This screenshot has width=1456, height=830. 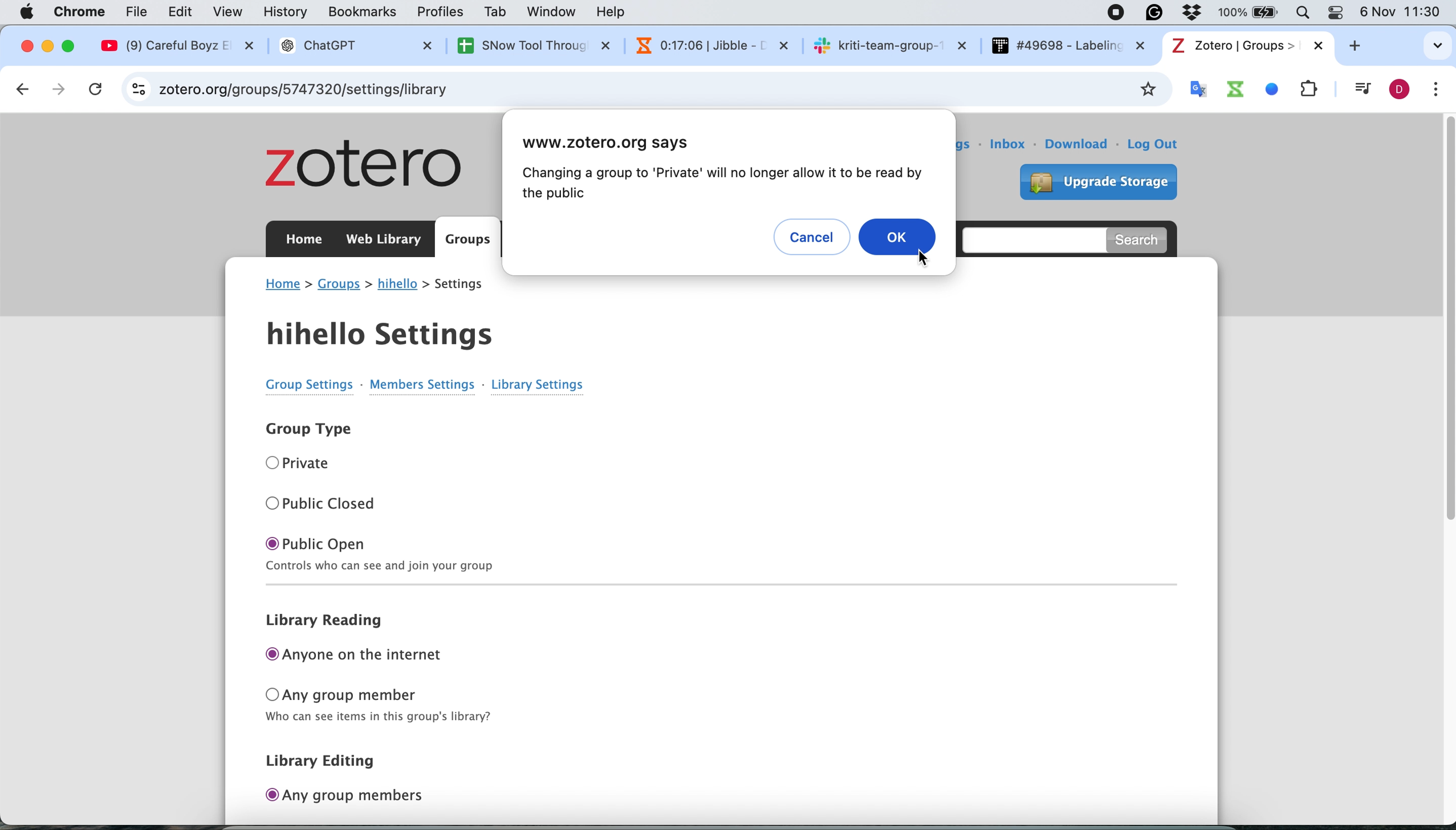 What do you see at coordinates (350, 796) in the screenshot?
I see `any group members` at bounding box center [350, 796].